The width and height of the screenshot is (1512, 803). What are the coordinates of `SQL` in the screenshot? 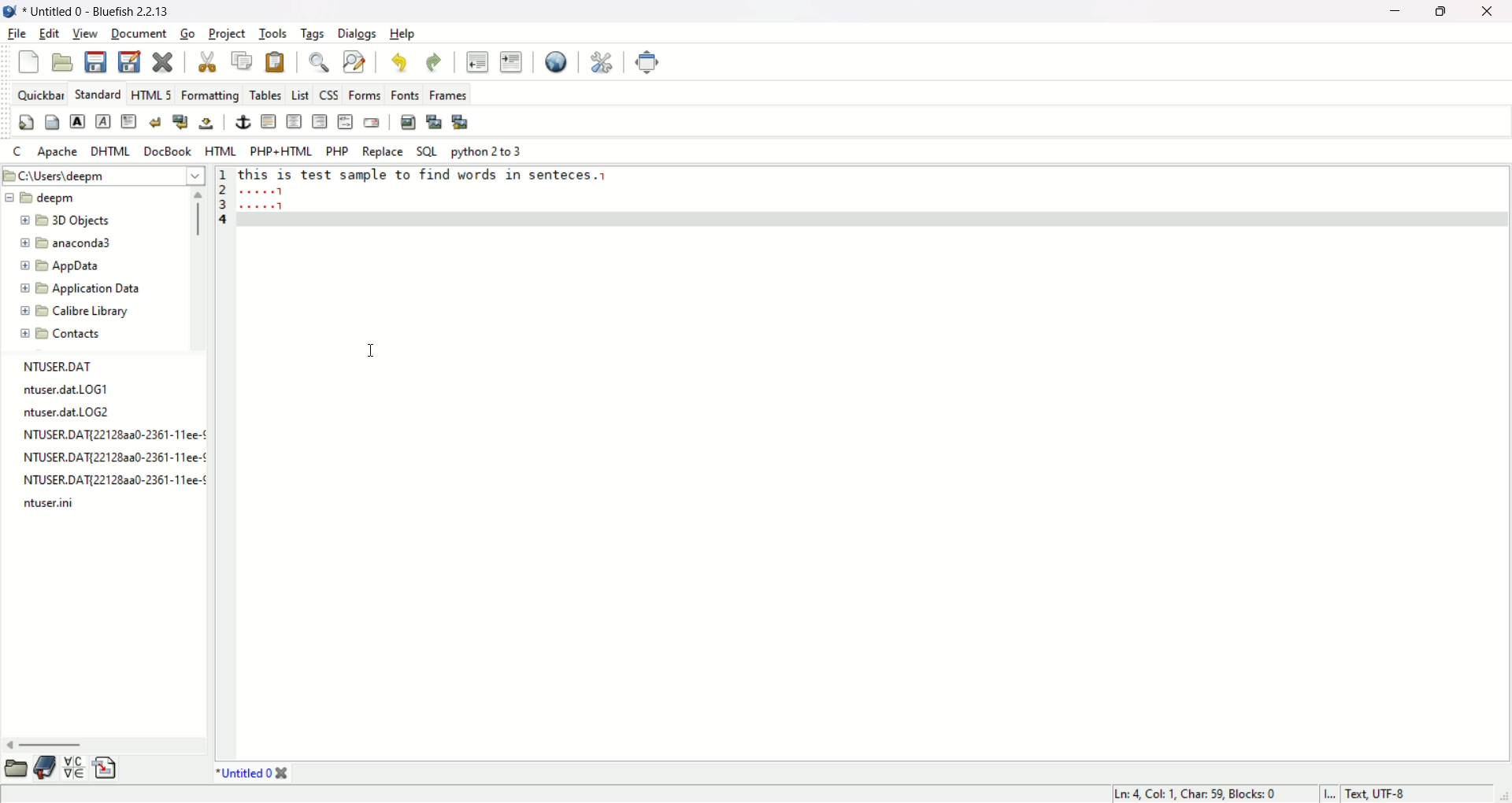 It's located at (427, 152).